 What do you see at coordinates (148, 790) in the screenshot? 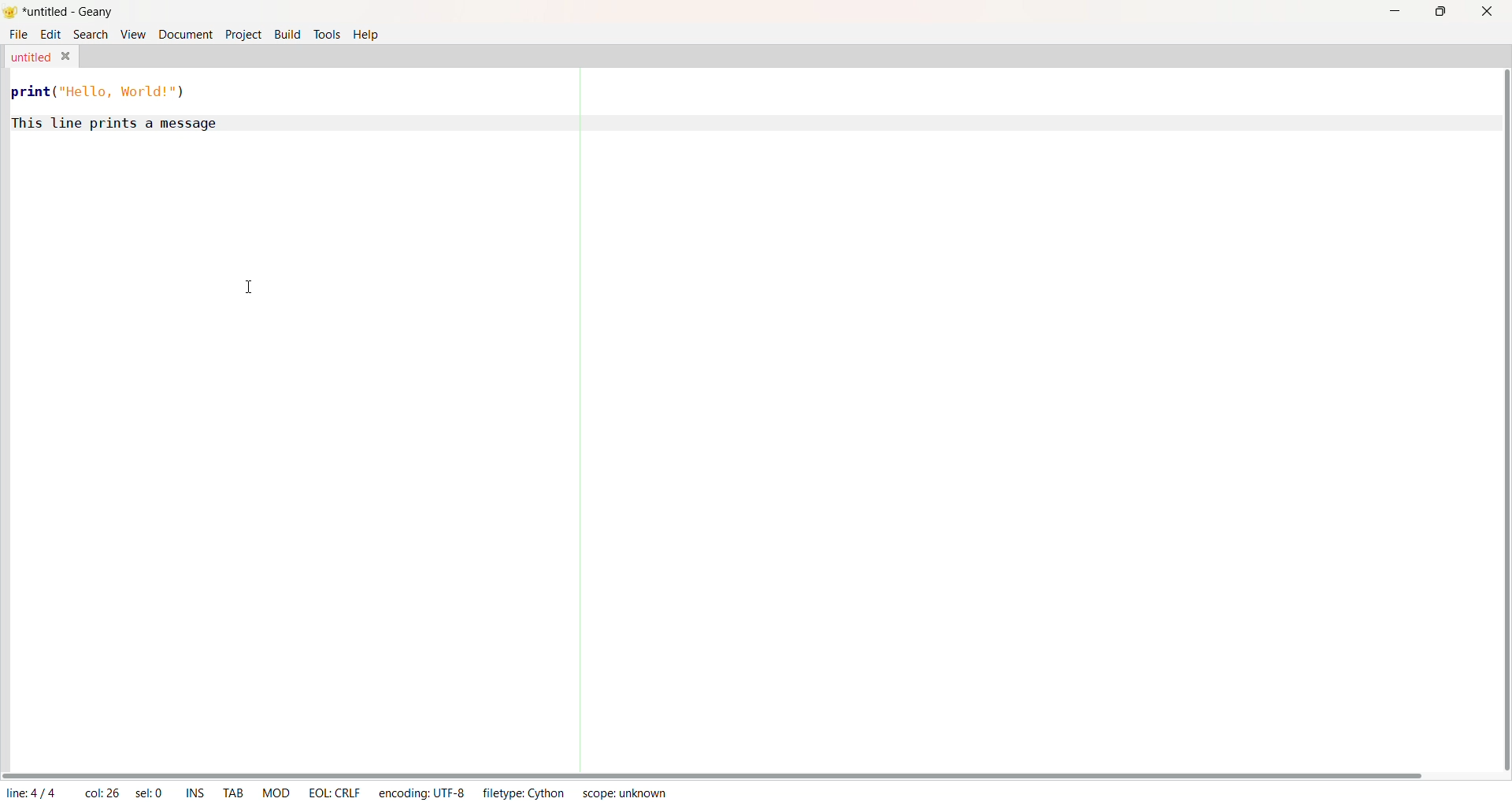
I see `sel: 0` at bounding box center [148, 790].